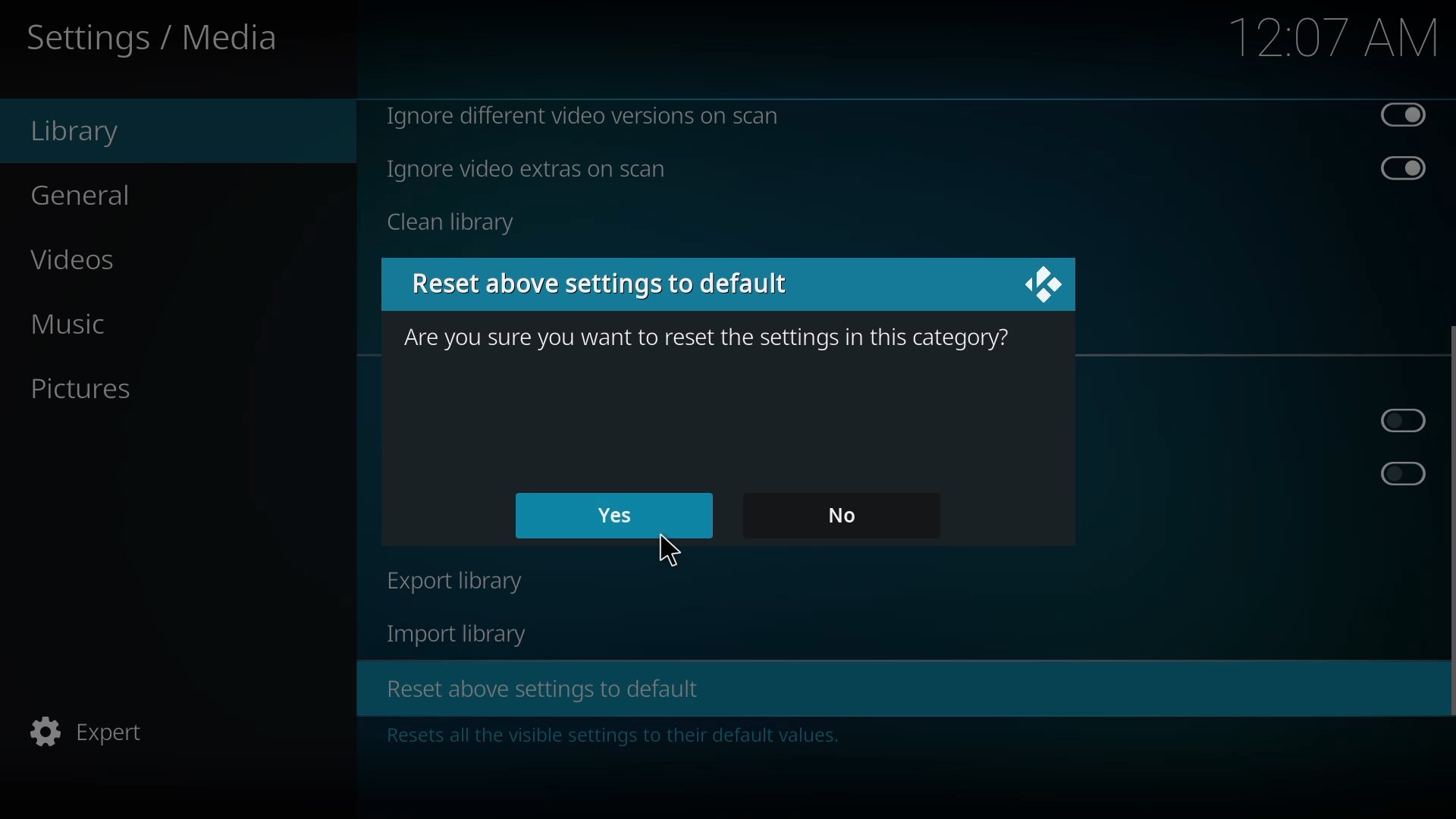  Describe the element at coordinates (1401, 474) in the screenshot. I see `click to enable` at that location.